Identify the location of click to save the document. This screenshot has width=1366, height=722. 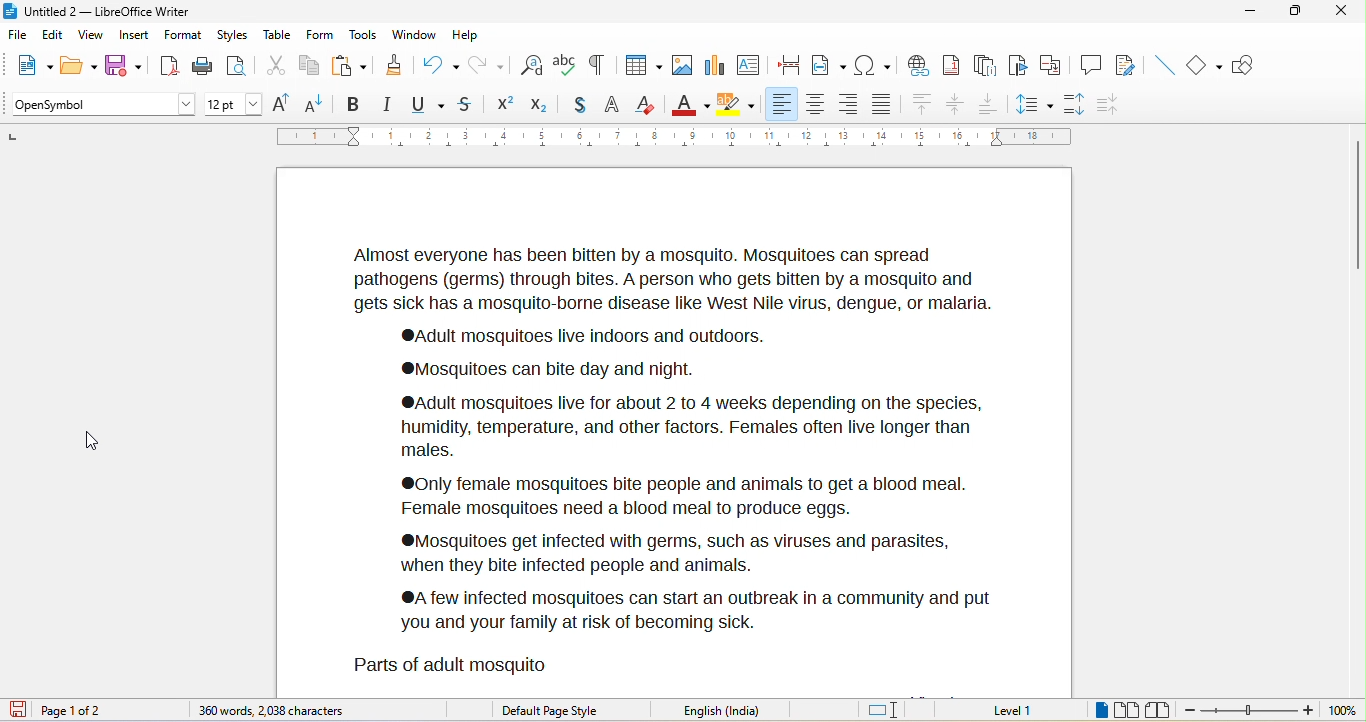
(17, 710).